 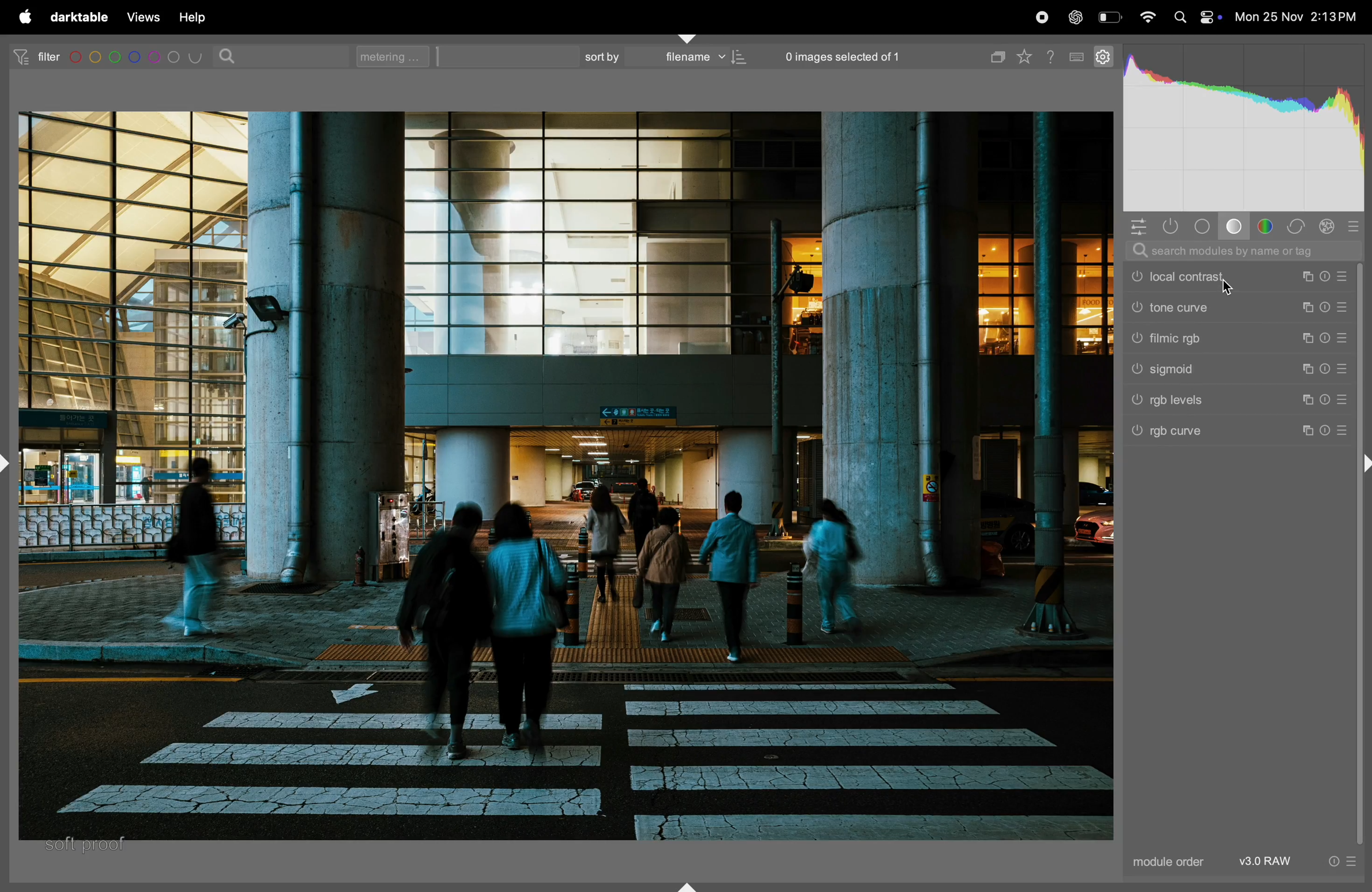 What do you see at coordinates (193, 17) in the screenshot?
I see `help` at bounding box center [193, 17].